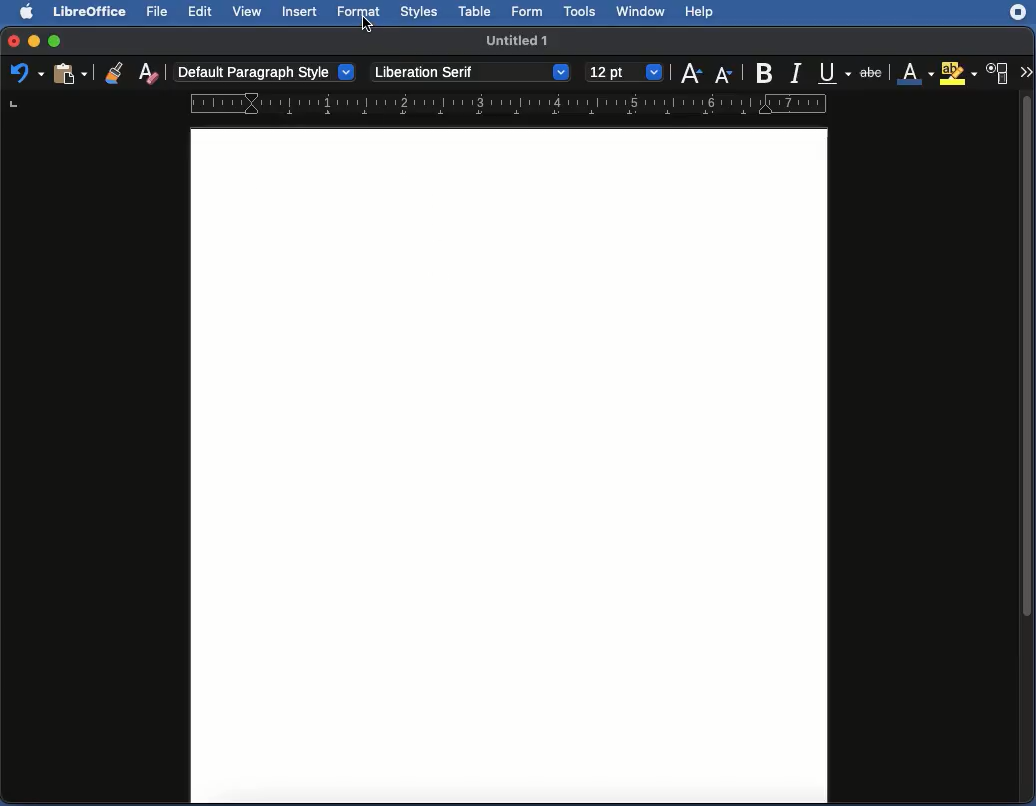 The height and width of the screenshot is (806, 1036). I want to click on Format, so click(361, 13).